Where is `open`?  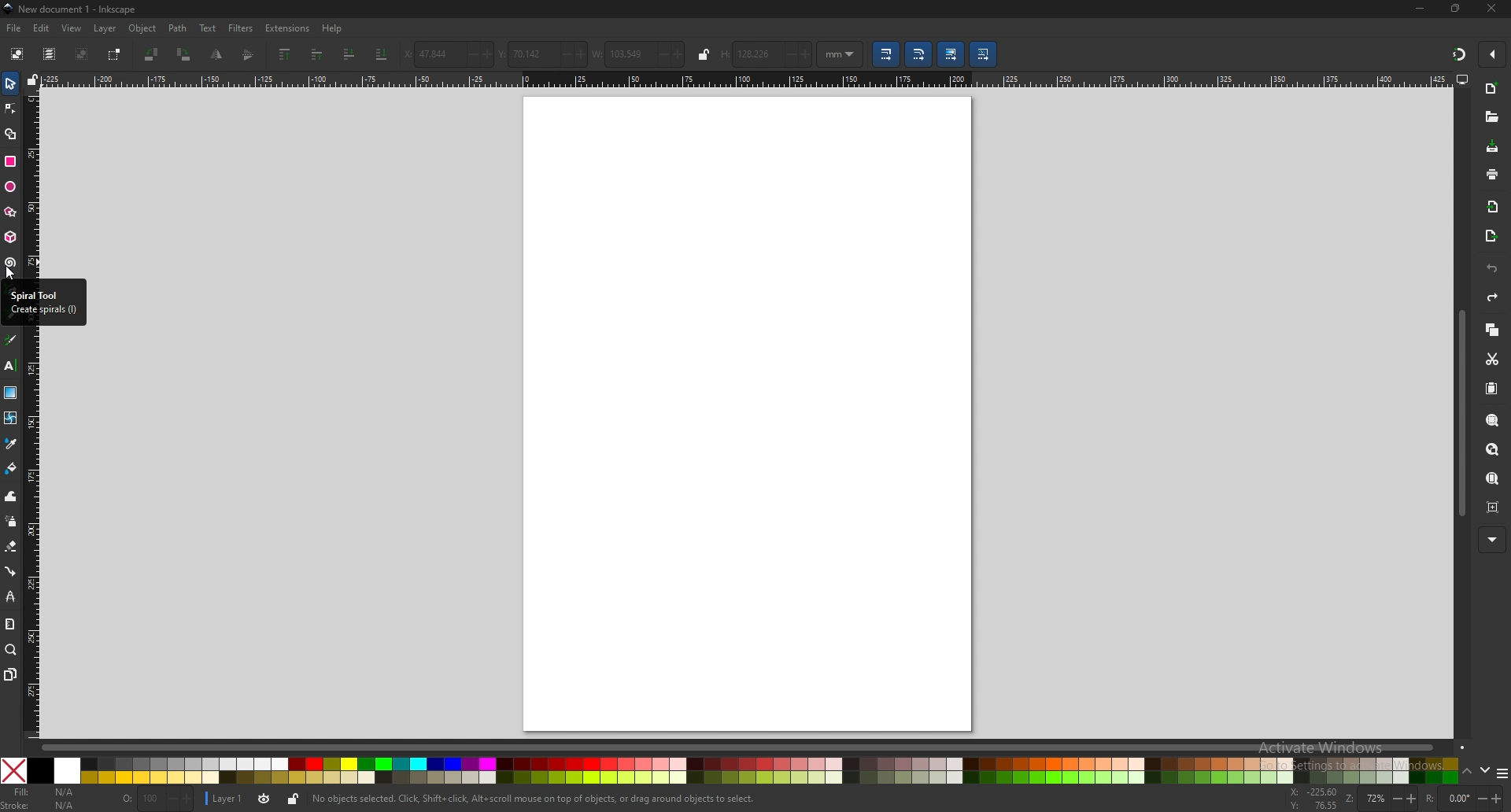 open is located at coordinates (1491, 119).